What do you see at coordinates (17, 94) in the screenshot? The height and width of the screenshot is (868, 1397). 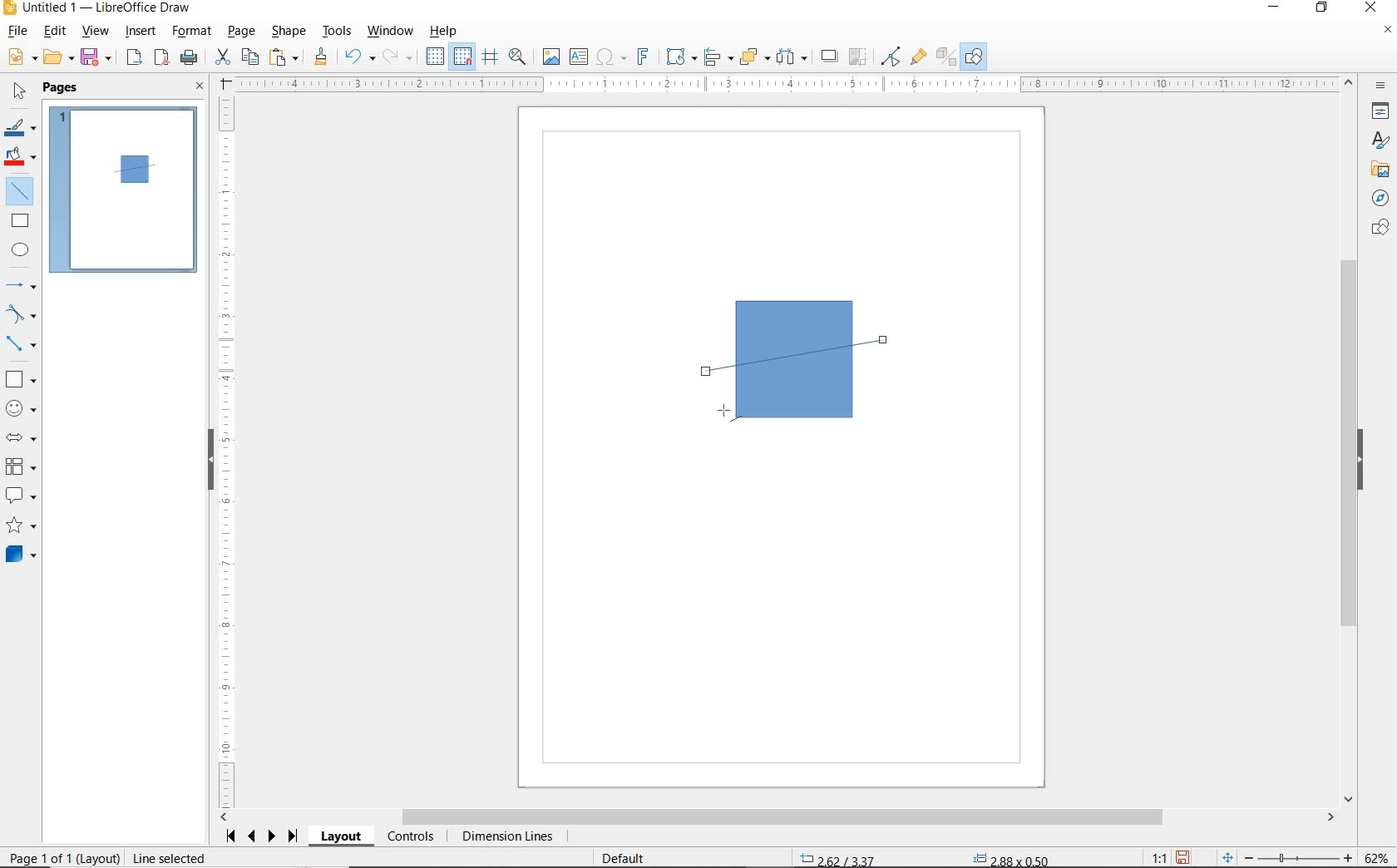 I see `SELECT` at bounding box center [17, 94].